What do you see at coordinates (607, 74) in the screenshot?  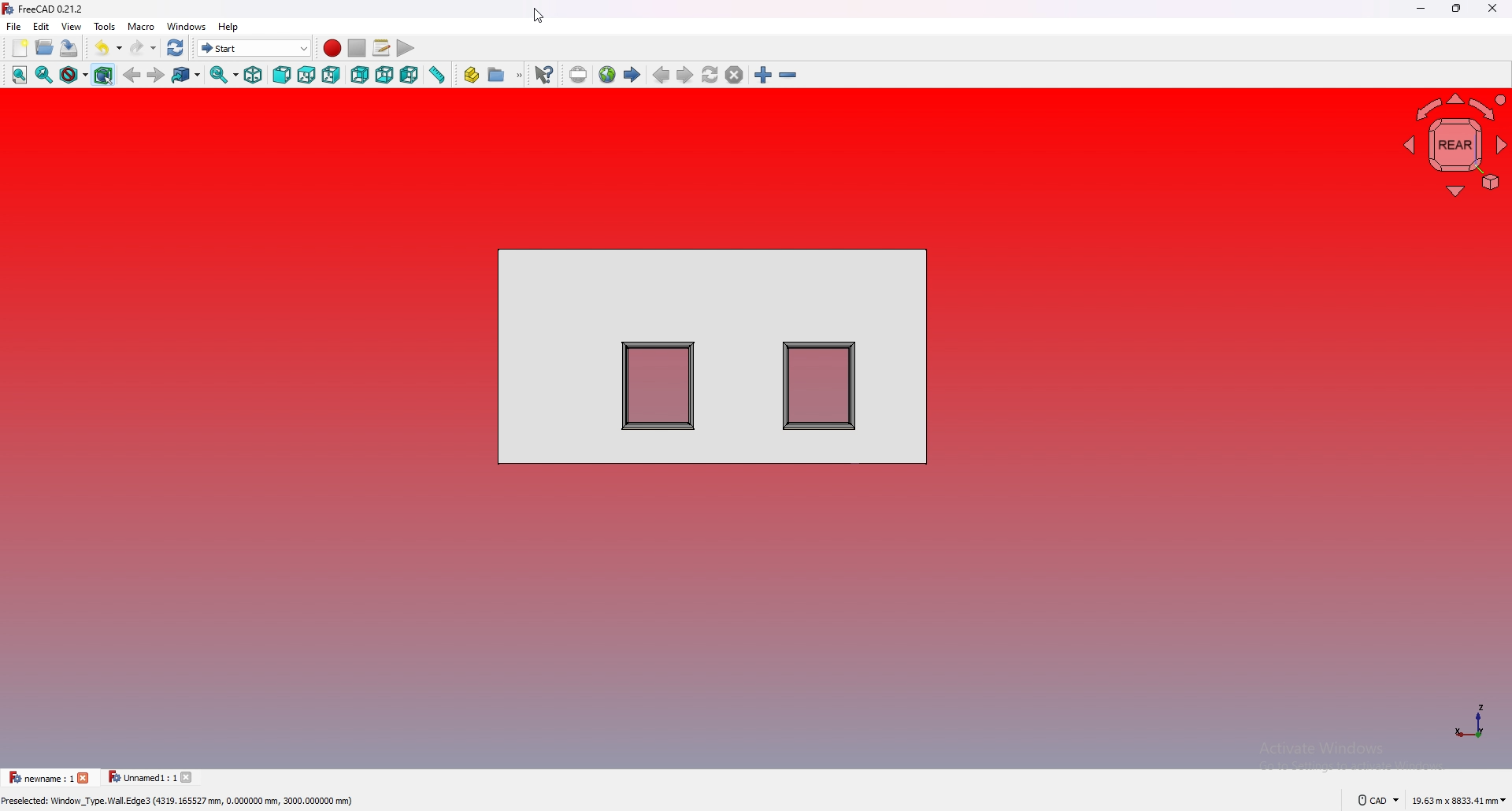 I see `open website` at bounding box center [607, 74].